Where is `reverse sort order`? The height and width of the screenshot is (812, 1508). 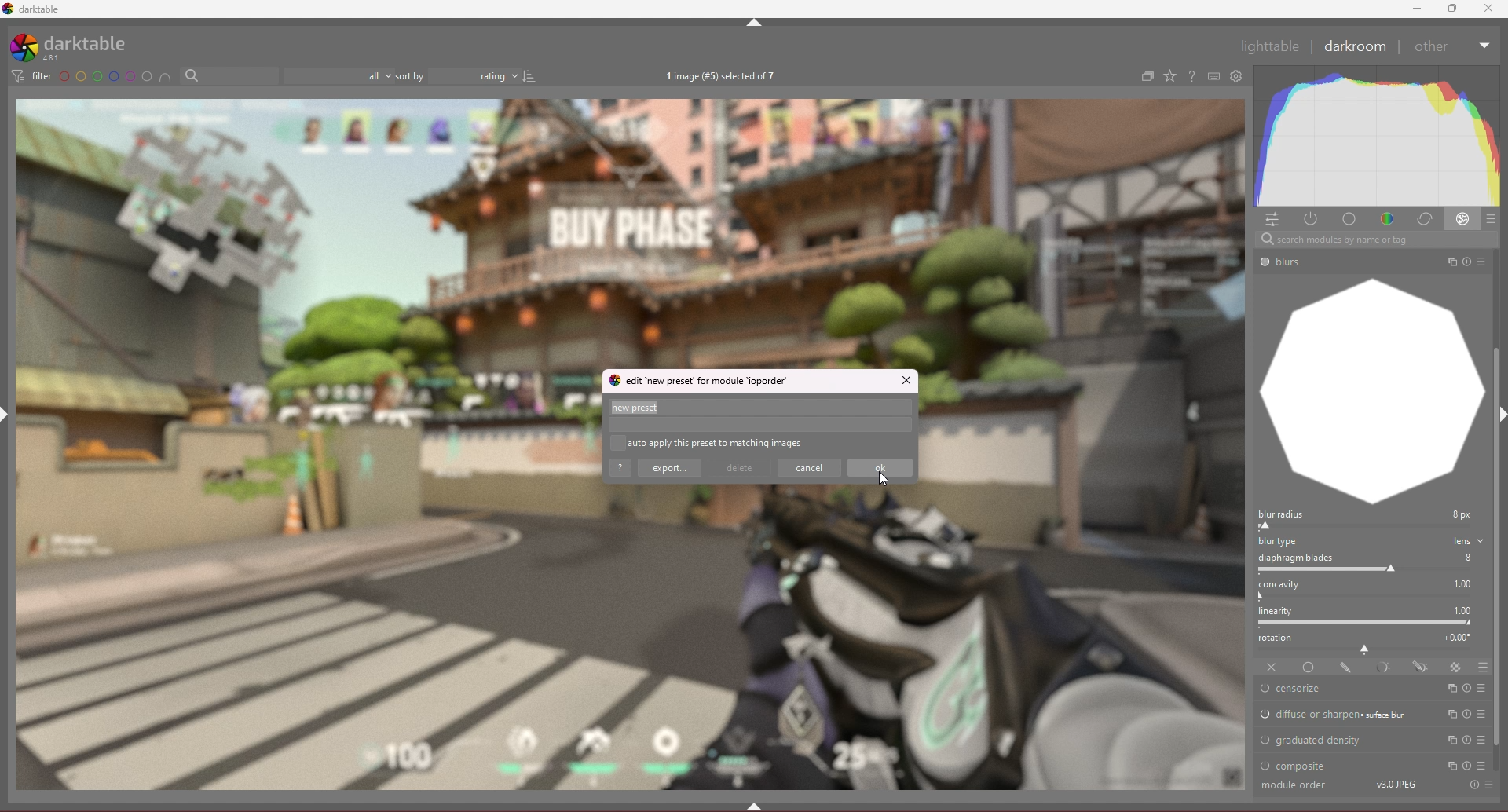 reverse sort order is located at coordinates (530, 75).